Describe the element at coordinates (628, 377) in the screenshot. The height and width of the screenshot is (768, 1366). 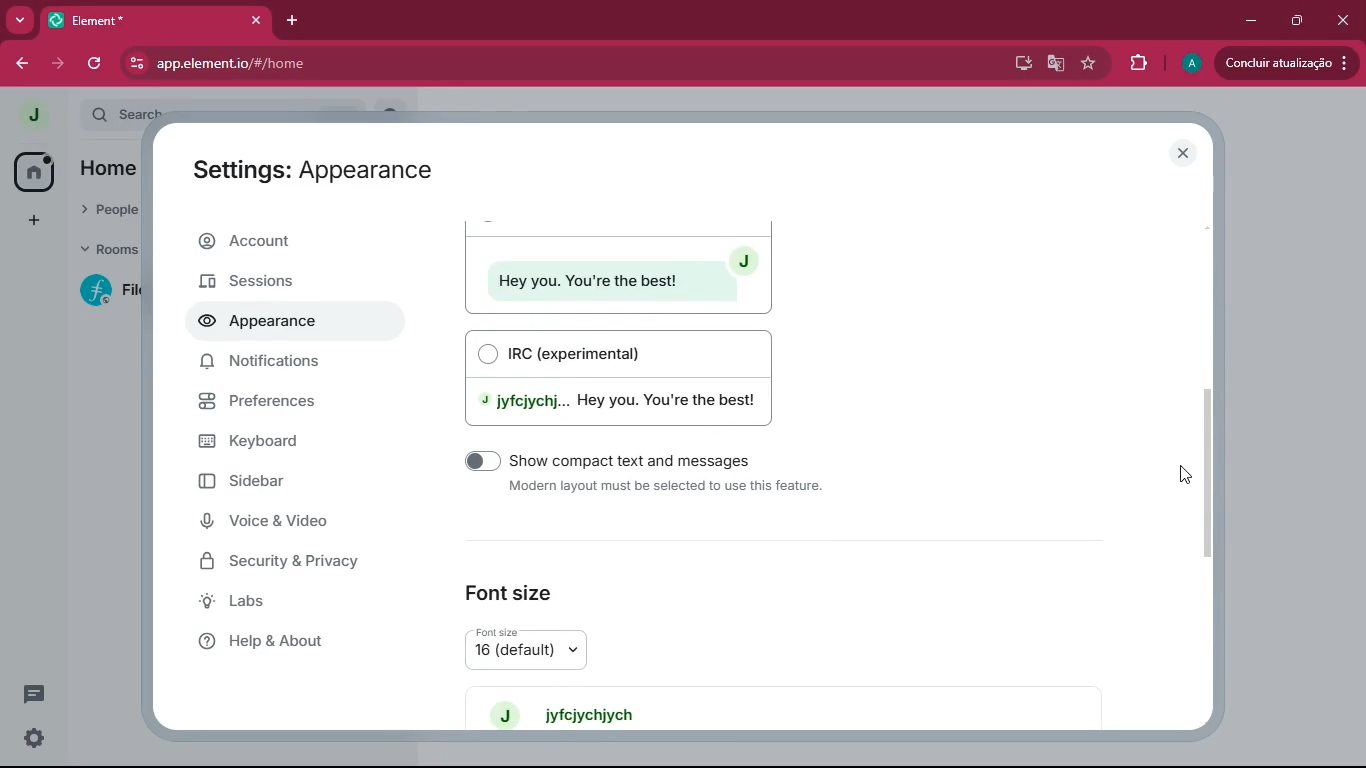
I see `irc ` at that location.